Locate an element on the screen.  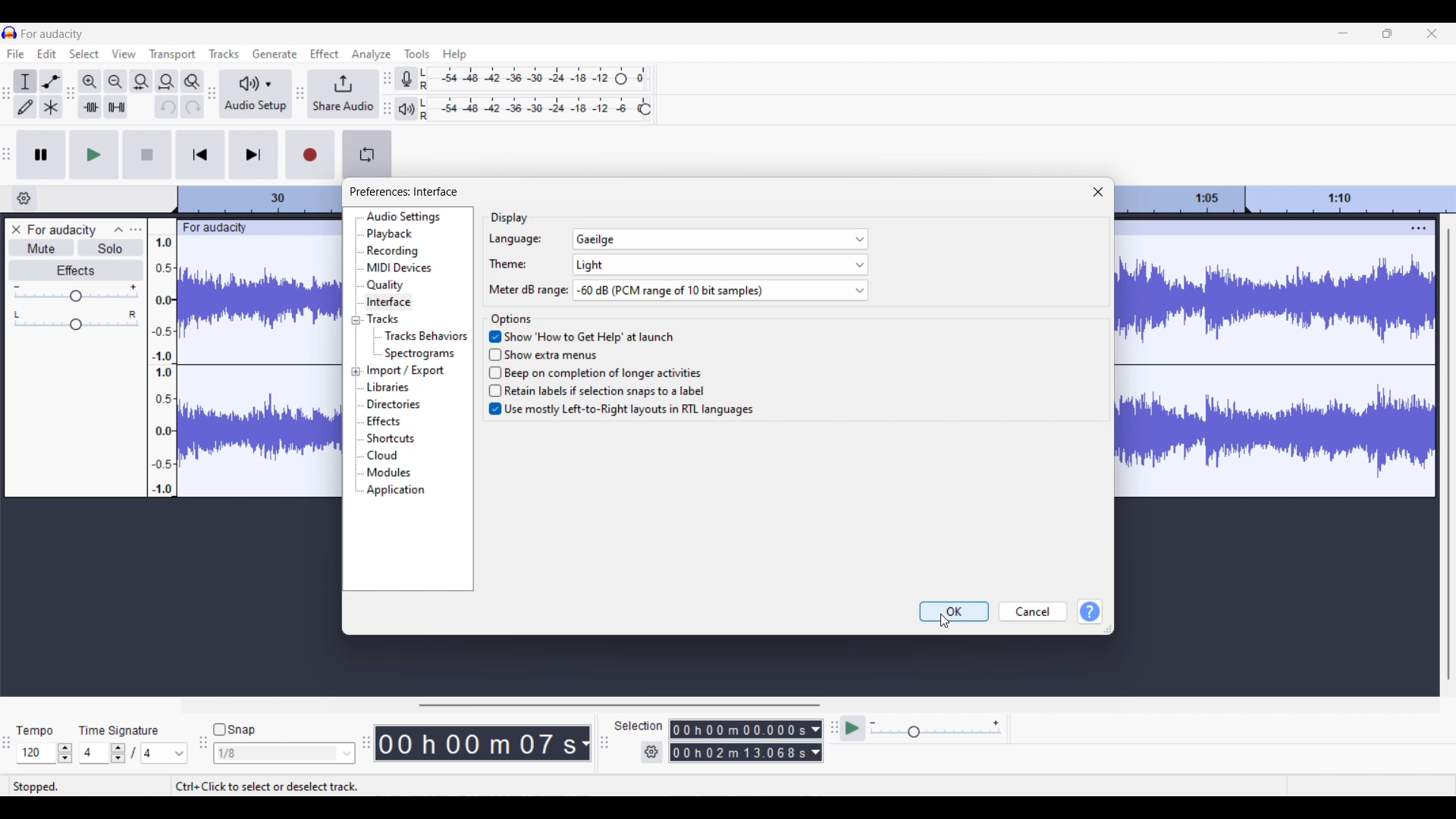
Tempo settings is located at coordinates (45, 753).